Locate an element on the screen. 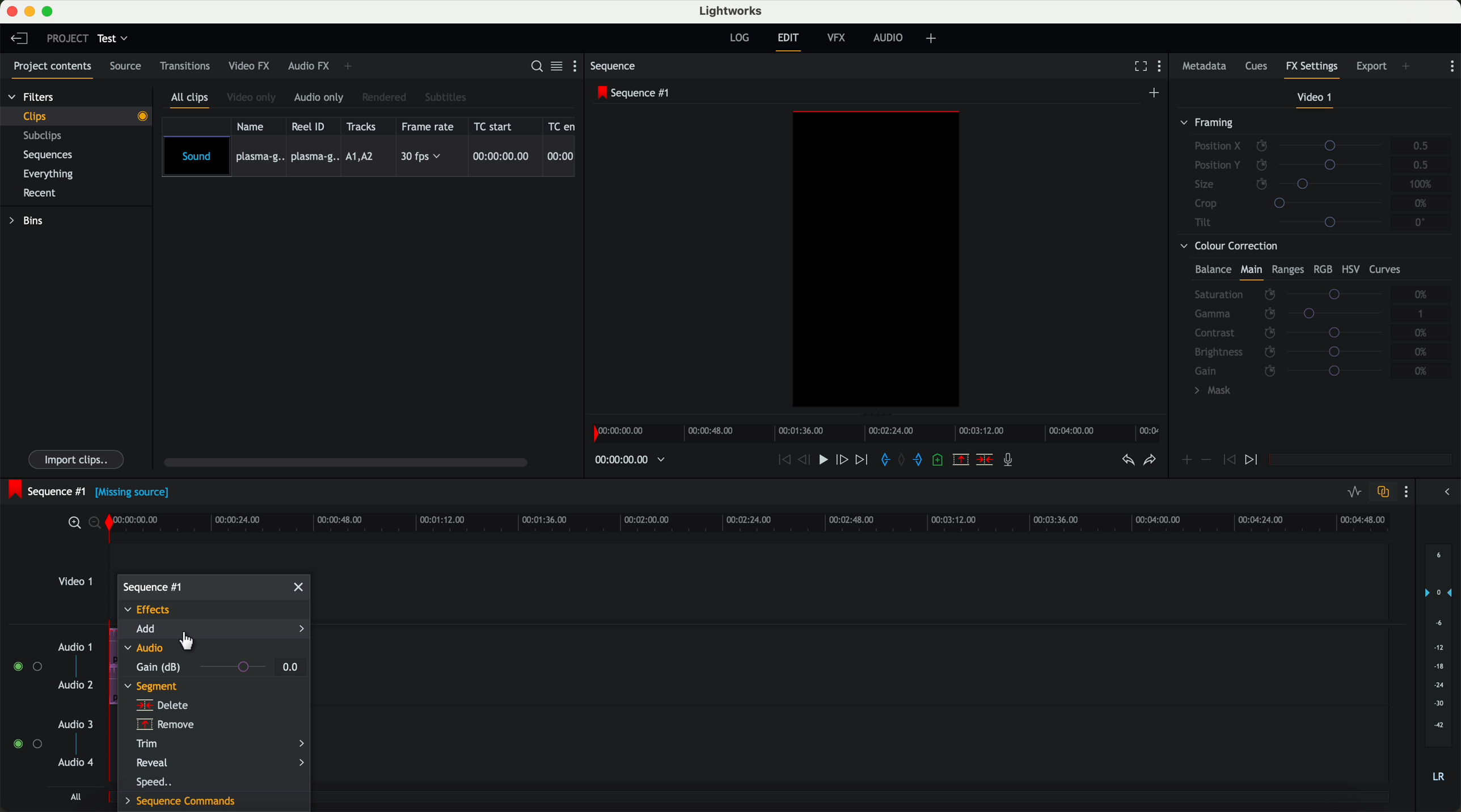 The width and height of the screenshot is (1461, 812). close window is located at coordinates (299, 586).